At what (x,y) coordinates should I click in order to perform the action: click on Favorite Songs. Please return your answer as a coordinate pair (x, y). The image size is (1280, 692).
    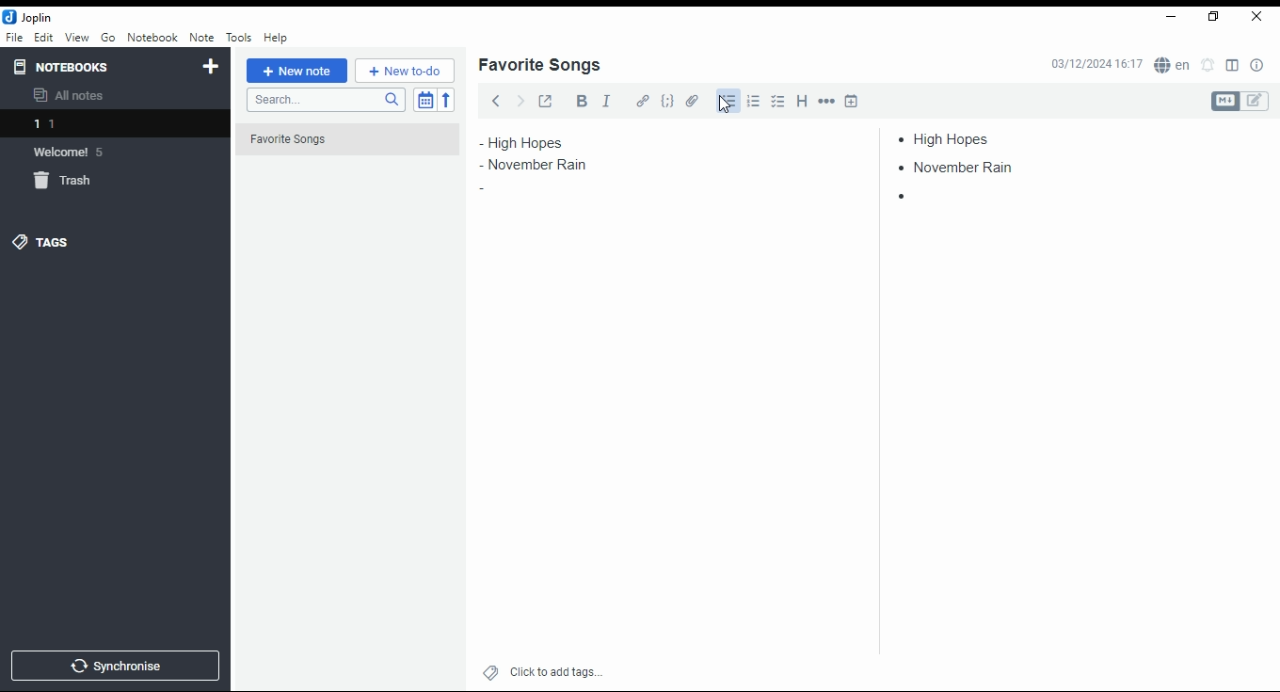
    Looking at the image, I should click on (337, 140).